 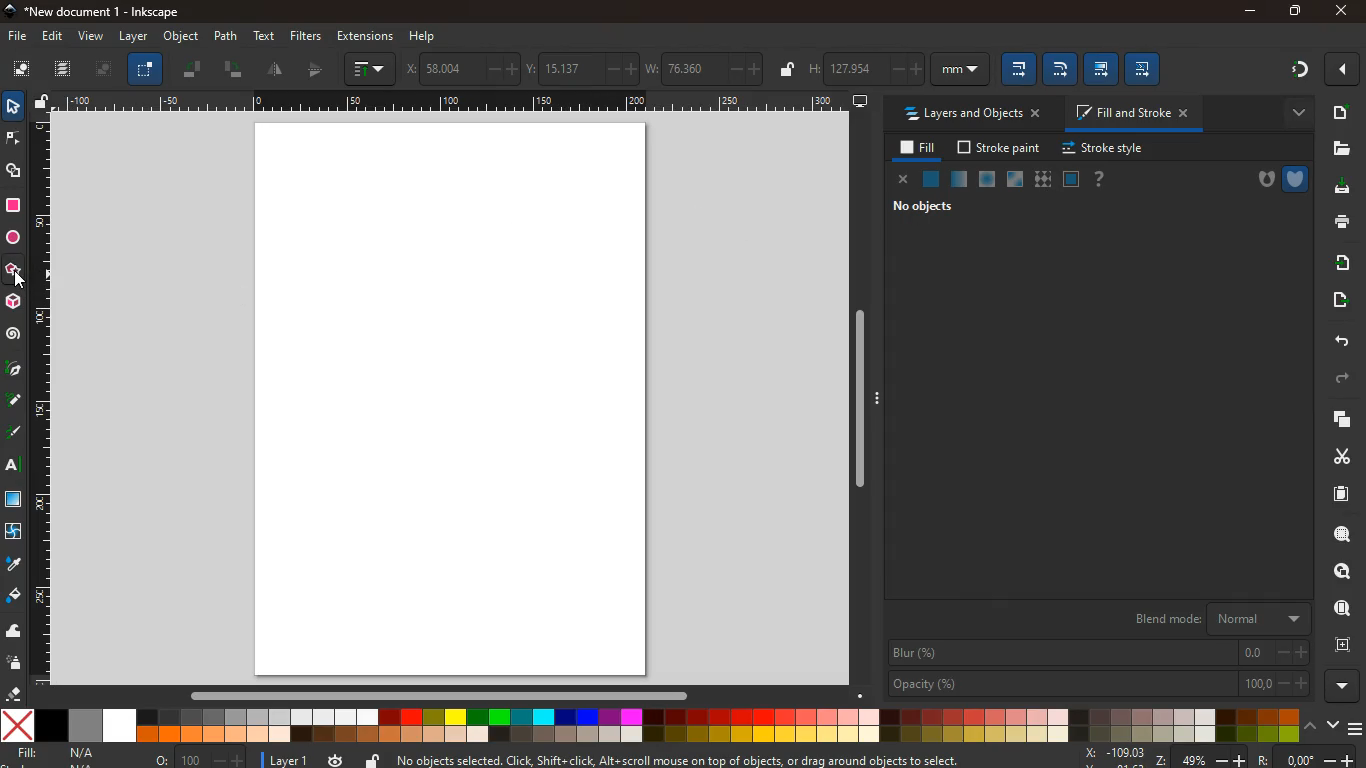 What do you see at coordinates (23, 70) in the screenshot?
I see `image` at bounding box center [23, 70].